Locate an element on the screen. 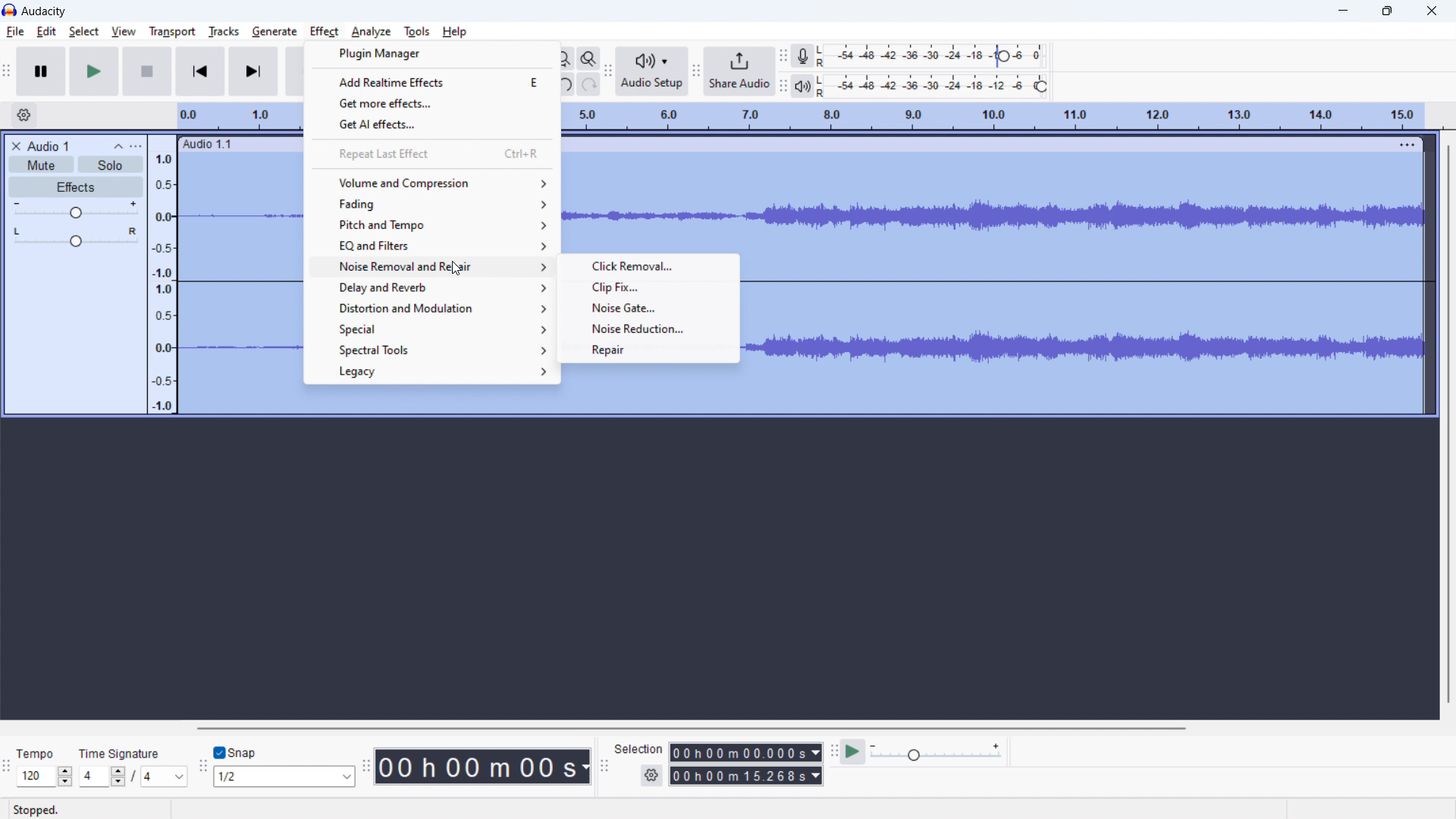  delay and reverb is located at coordinates (428, 287).